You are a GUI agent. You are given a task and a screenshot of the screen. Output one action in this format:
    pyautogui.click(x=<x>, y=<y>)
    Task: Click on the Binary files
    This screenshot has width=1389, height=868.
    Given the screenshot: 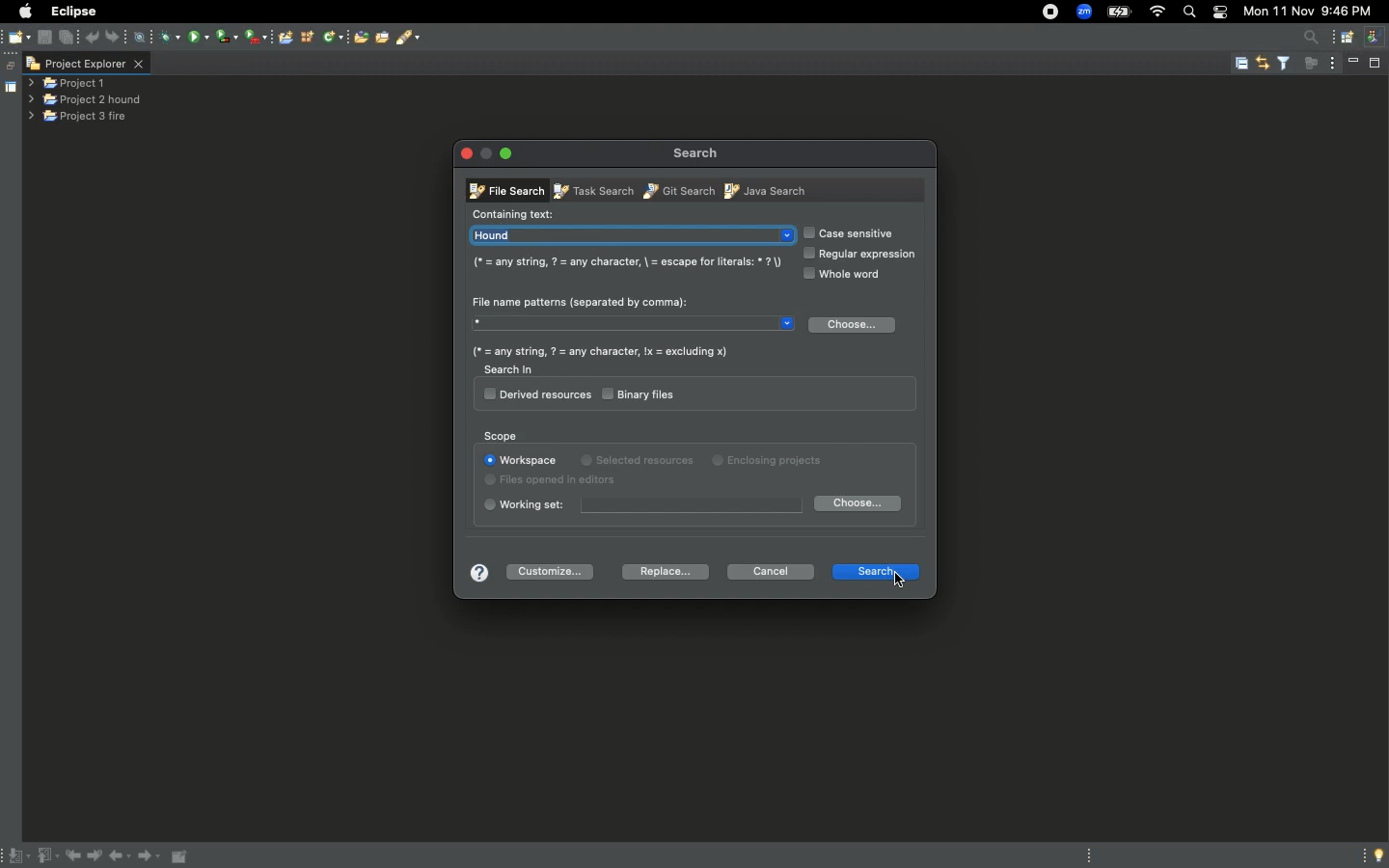 What is the action you would take?
    pyautogui.click(x=641, y=393)
    